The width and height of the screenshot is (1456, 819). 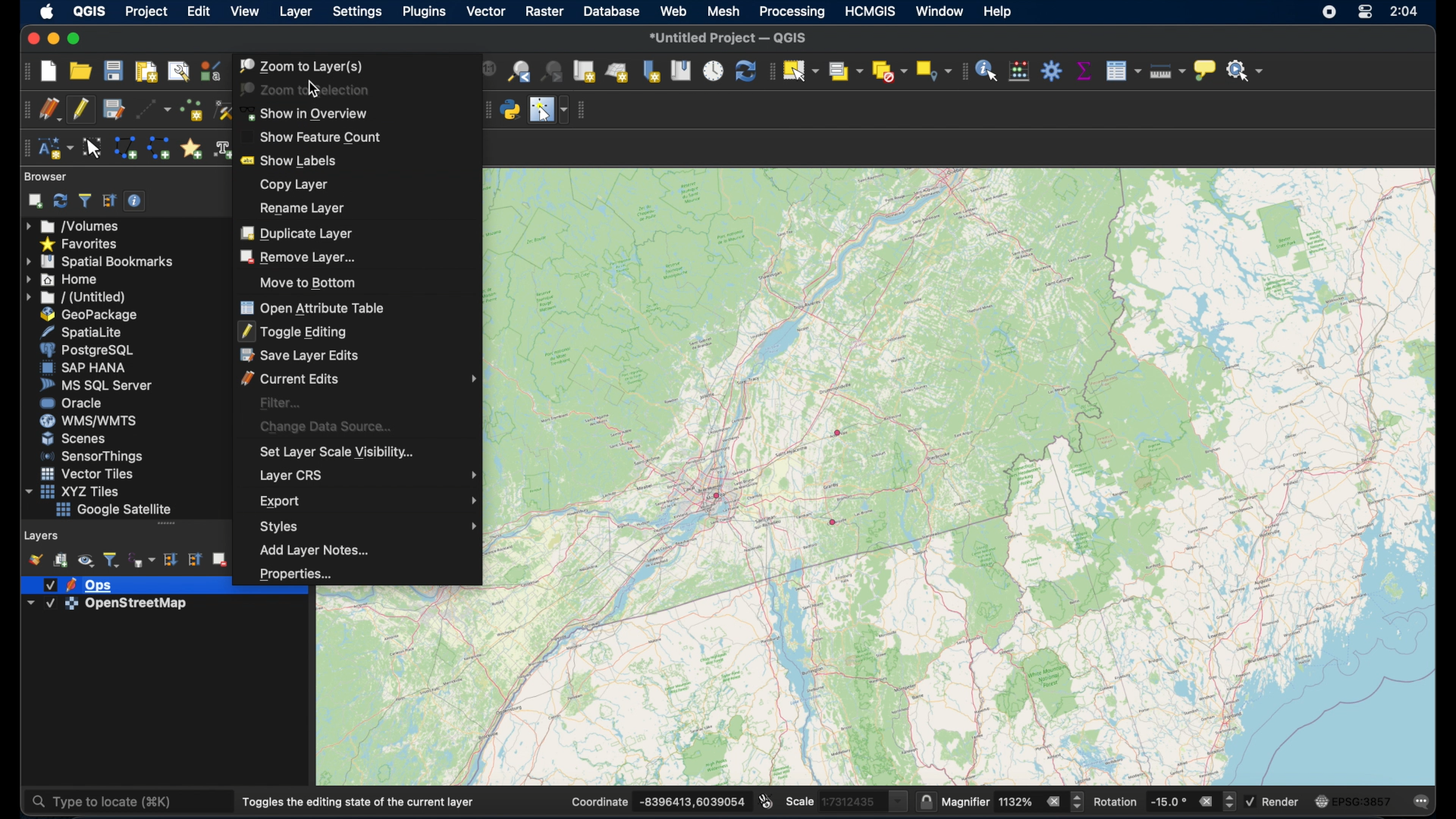 I want to click on show feature count, so click(x=312, y=135).